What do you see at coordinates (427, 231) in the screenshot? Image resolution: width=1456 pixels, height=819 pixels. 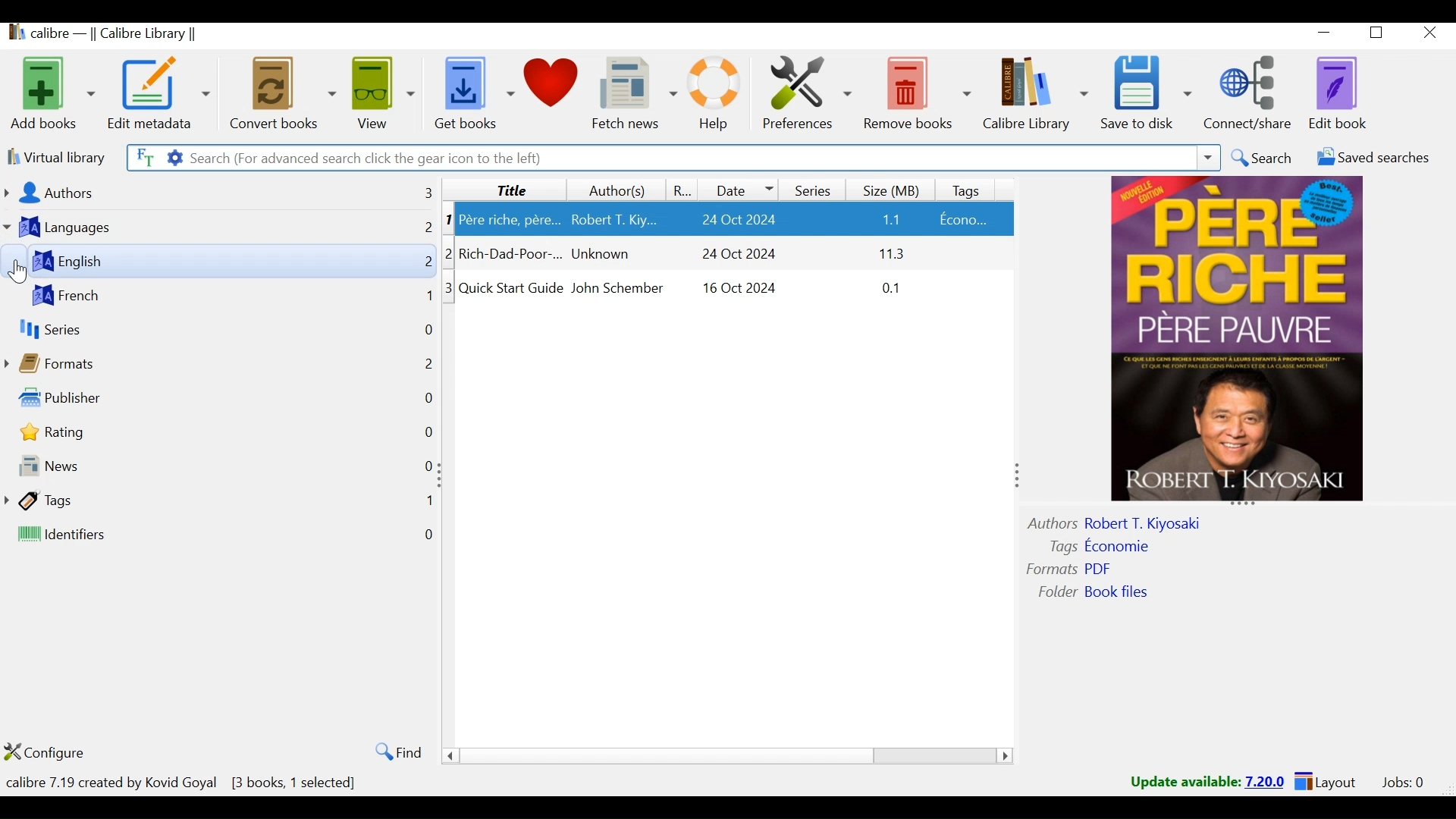 I see `2` at bounding box center [427, 231].